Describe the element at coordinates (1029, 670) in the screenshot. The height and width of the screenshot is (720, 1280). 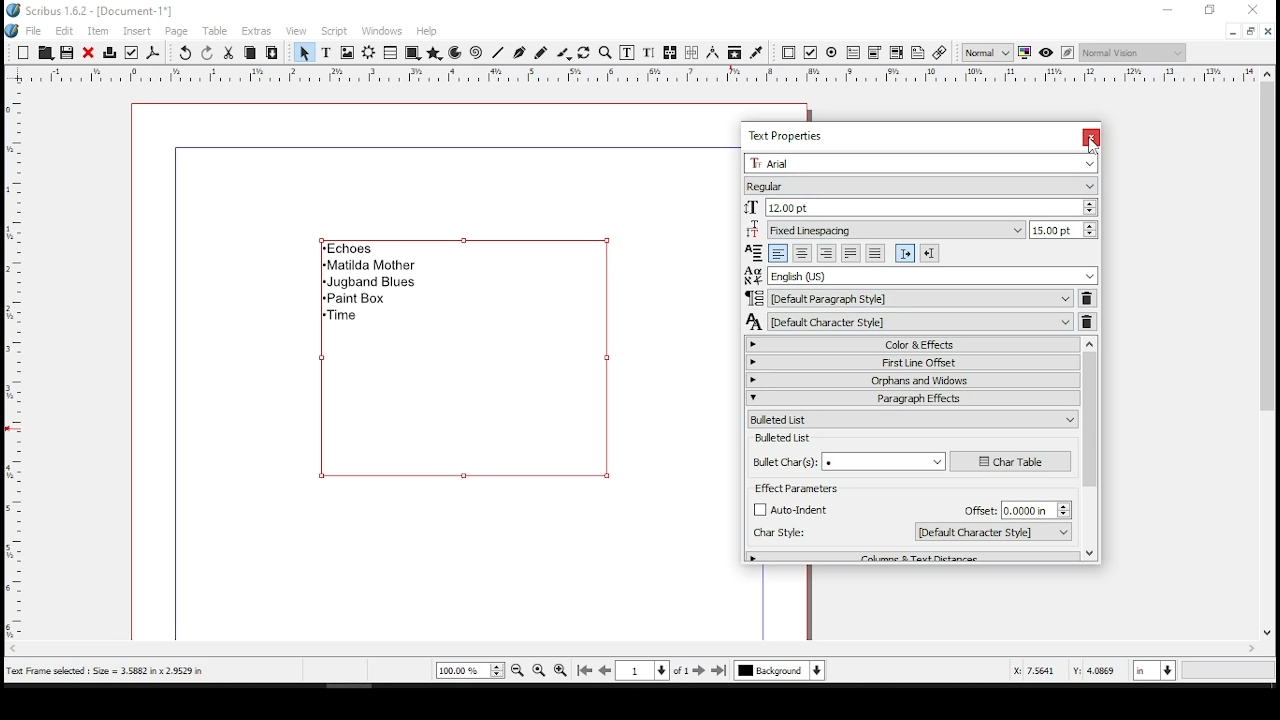
I see `X: 4.1993` at that location.